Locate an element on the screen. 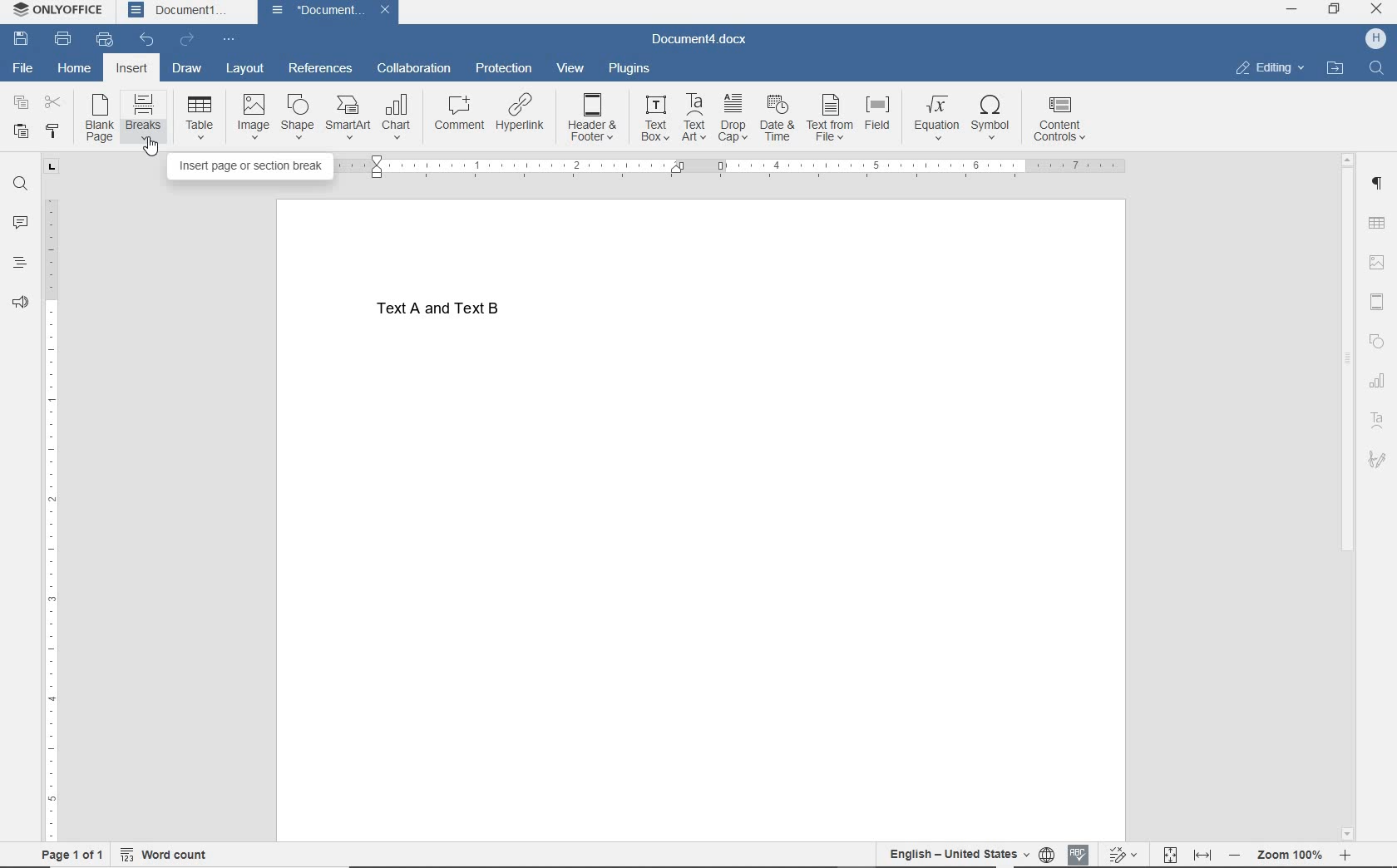  EQUATION is located at coordinates (935, 117).